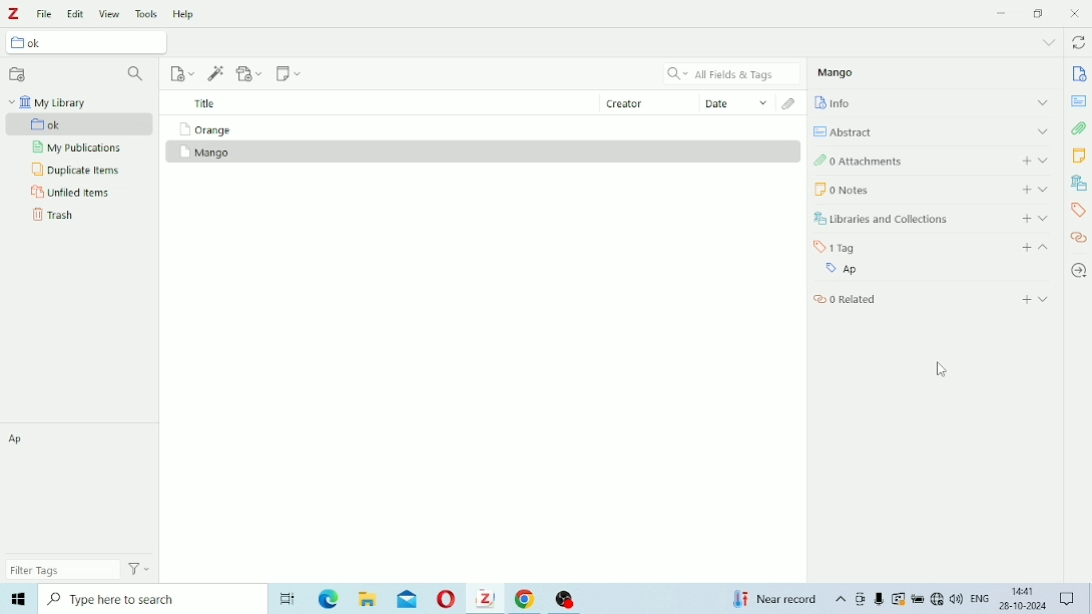 This screenshot has width=1092, height=614. Describe the element at coordinates (931, 218) in the screenshot. I see `Libraries and Collections` at that location.